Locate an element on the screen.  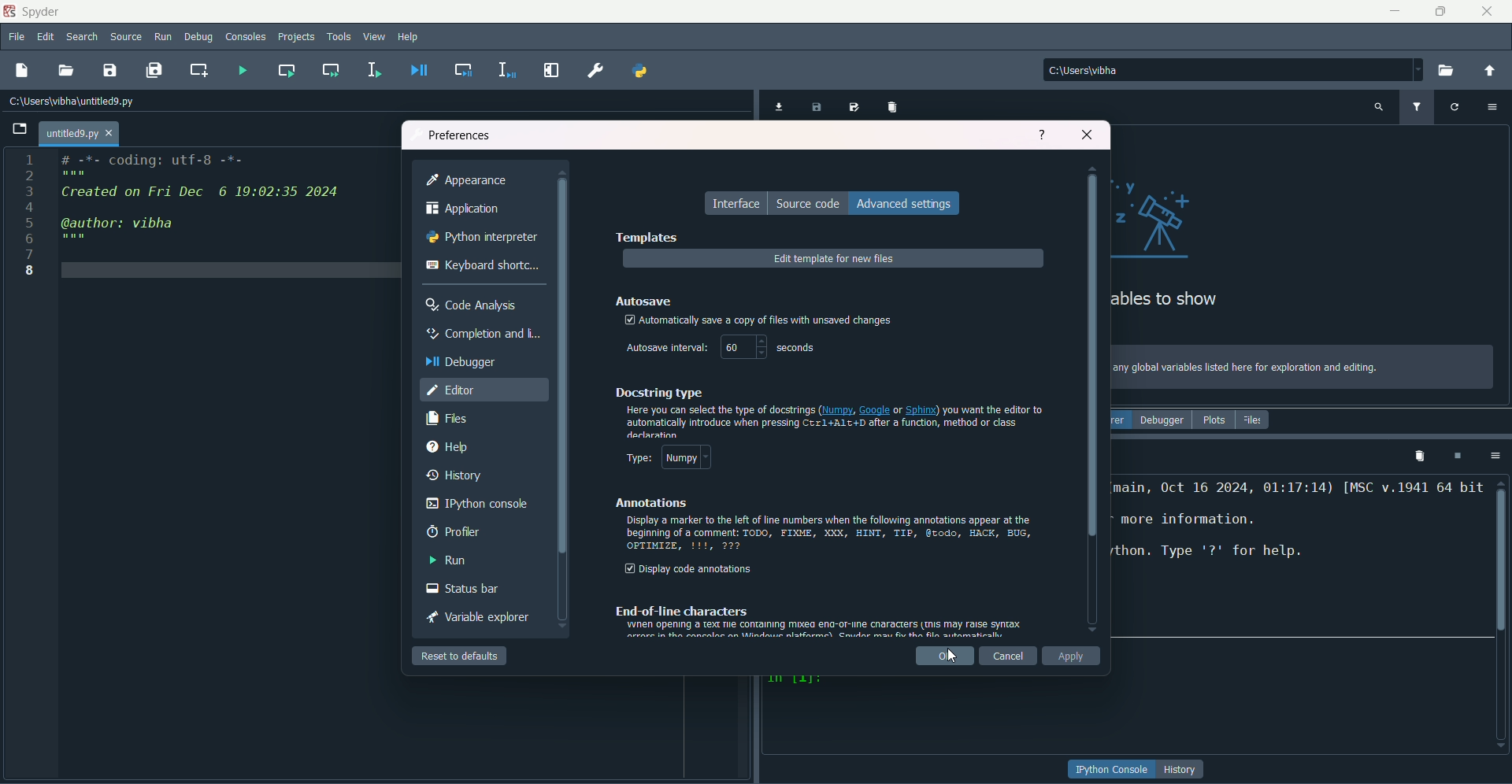
text is located at coordinates (818, 620).